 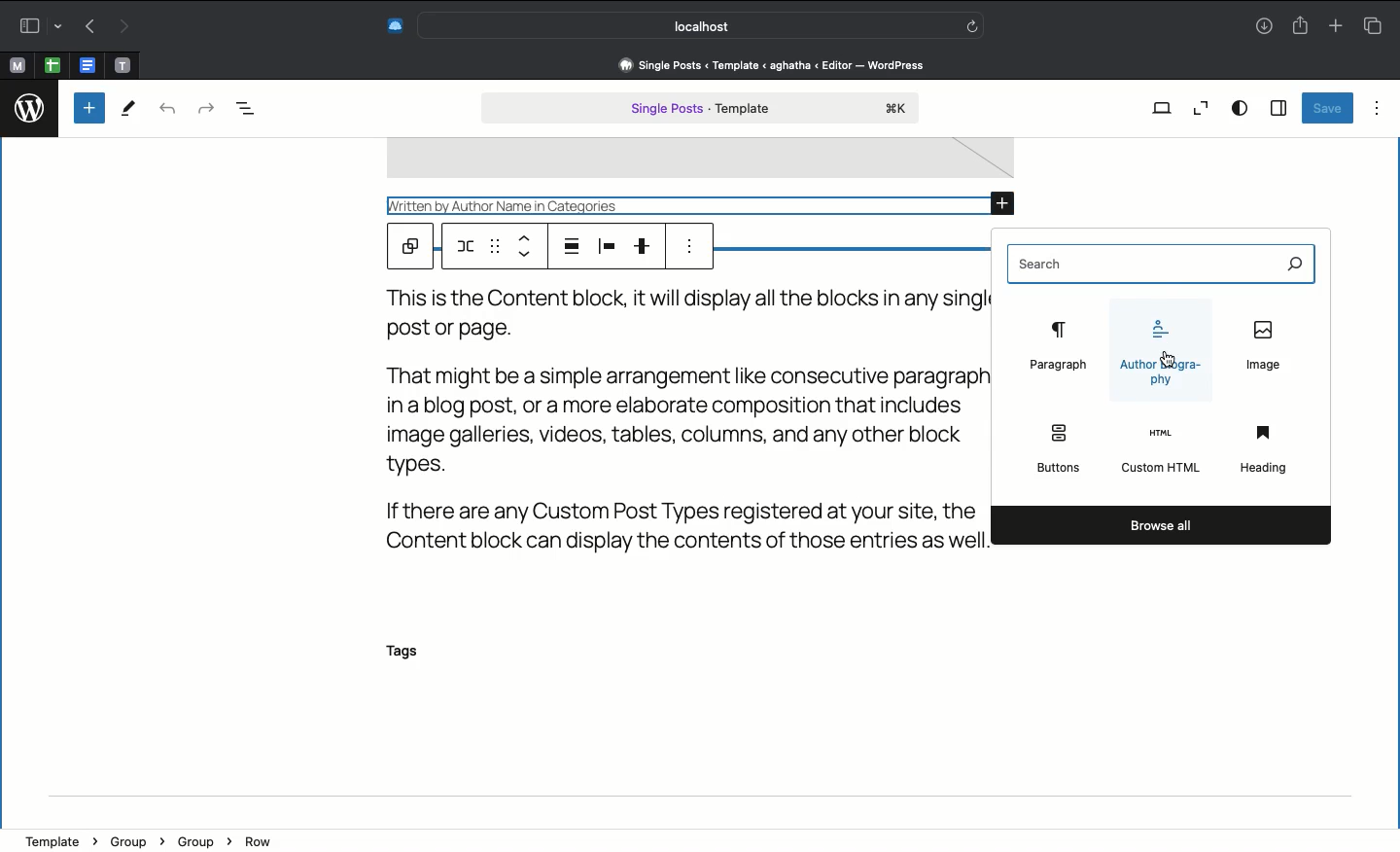 What do you see at coordinates (1372, 25) in the screenshot?
I see `Tabs` at bounding box center [1372, 25].